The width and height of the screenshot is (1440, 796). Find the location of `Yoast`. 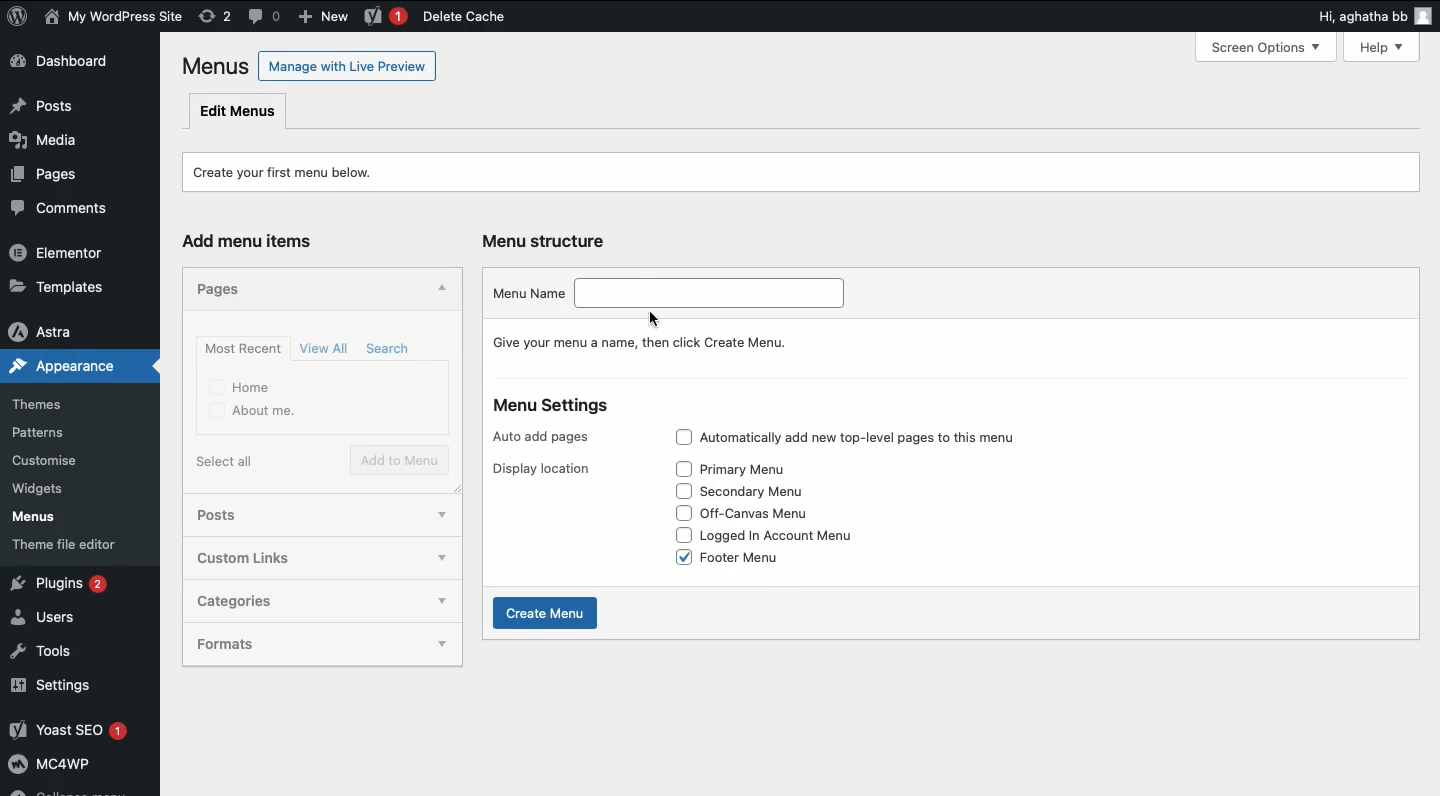

Yoast is located at coordinates (384, 17).